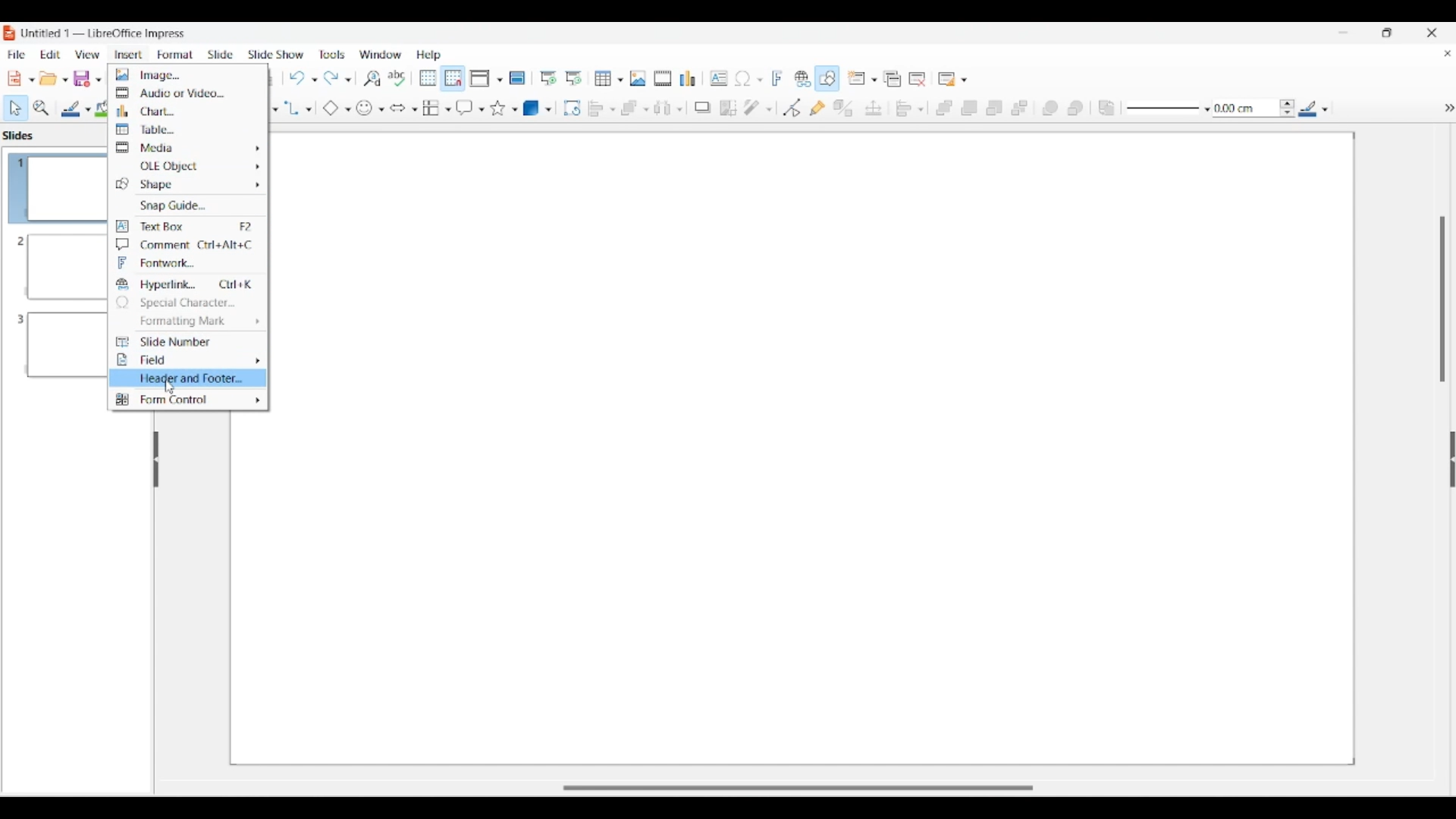 This screenshot has height=819, width=1456. What do you see at coordinates (687, 78) in the screenshot?
I see `Insert chart` at bounding box center [687, 78].